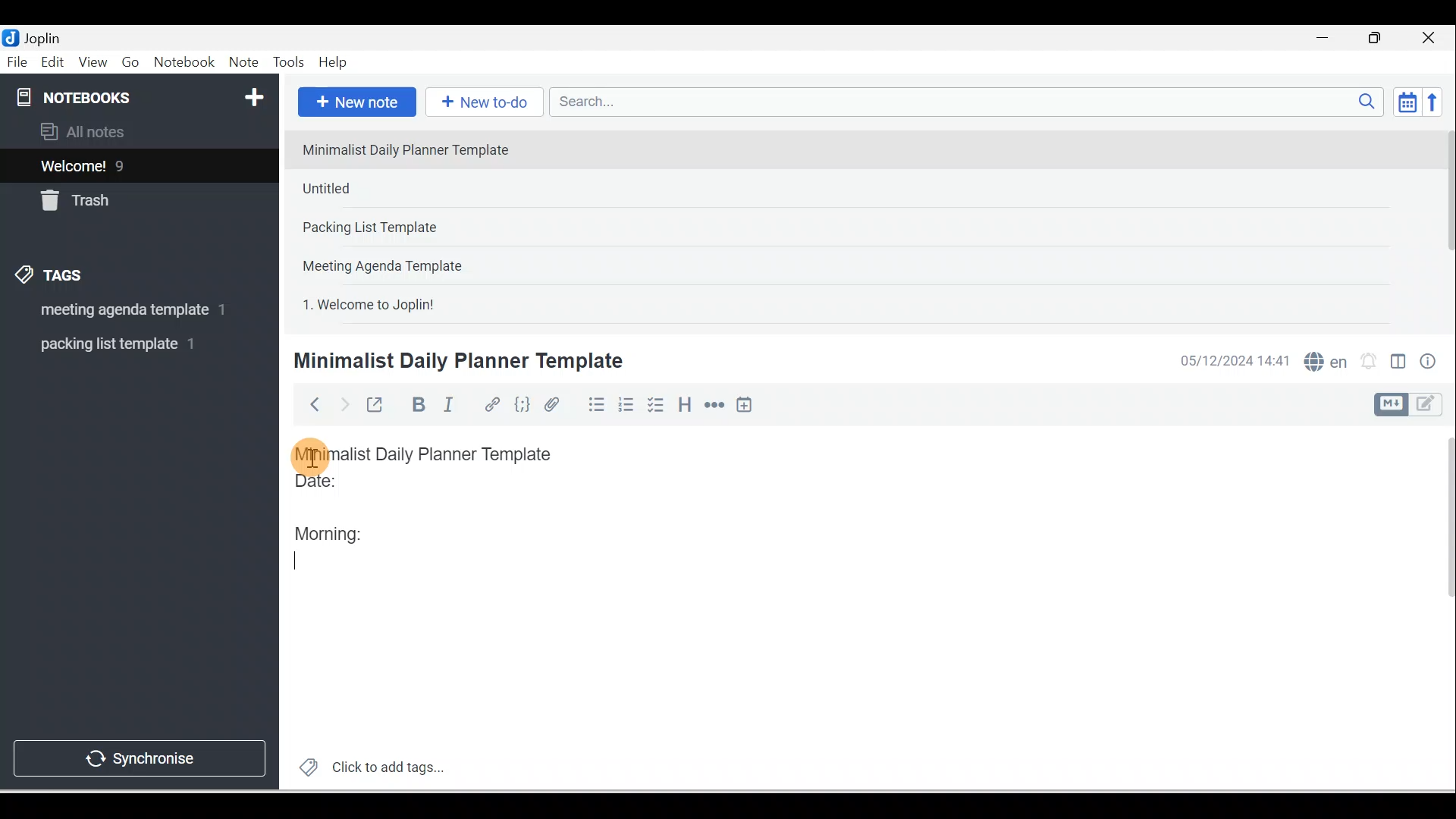 This screenshot has width=1456, height=819. What do you see at coordinates (626, 404) in the screenshot?
I see `Numbered list` at bounding box center [626, 404].